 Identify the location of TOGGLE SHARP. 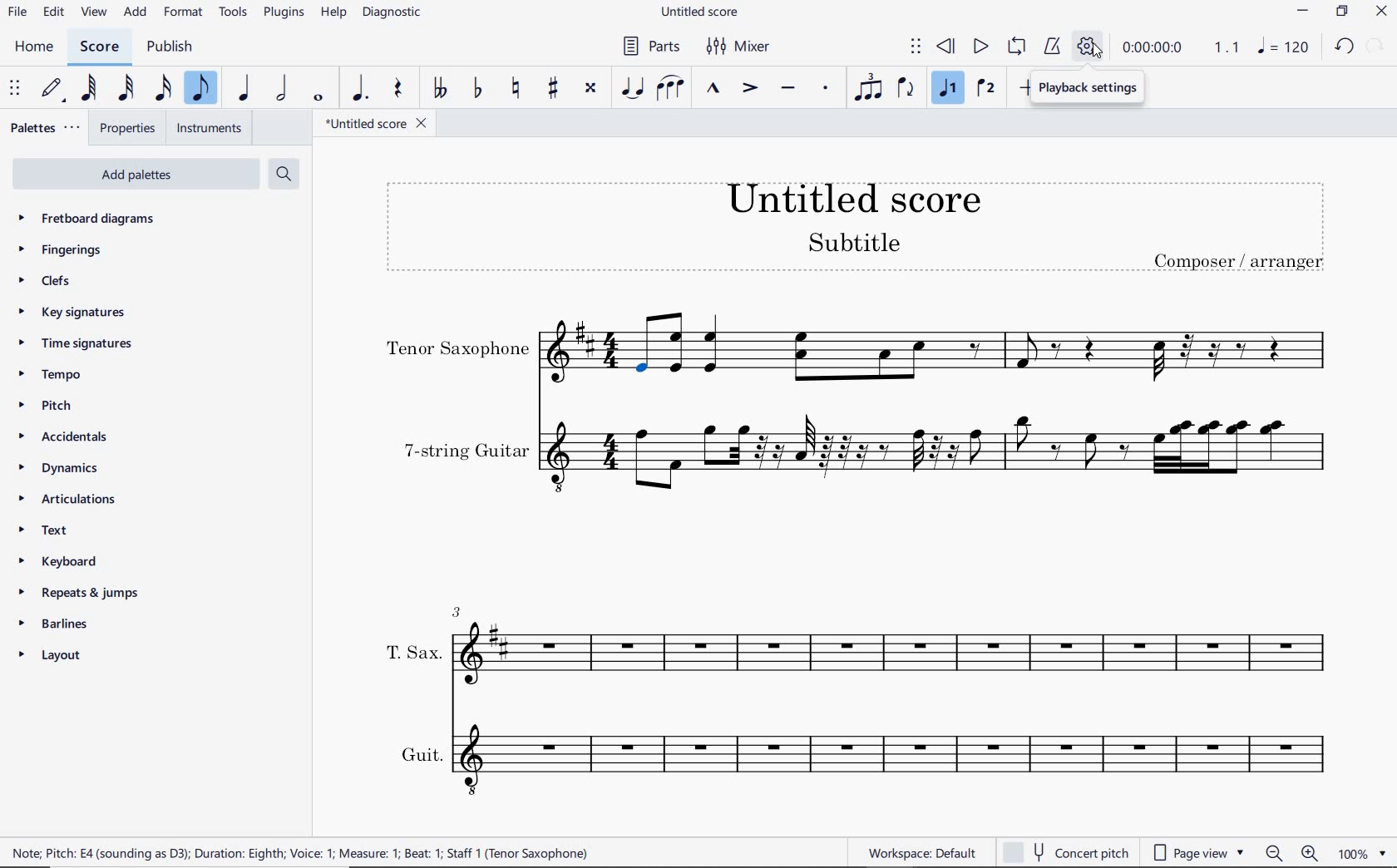
(554, 87).